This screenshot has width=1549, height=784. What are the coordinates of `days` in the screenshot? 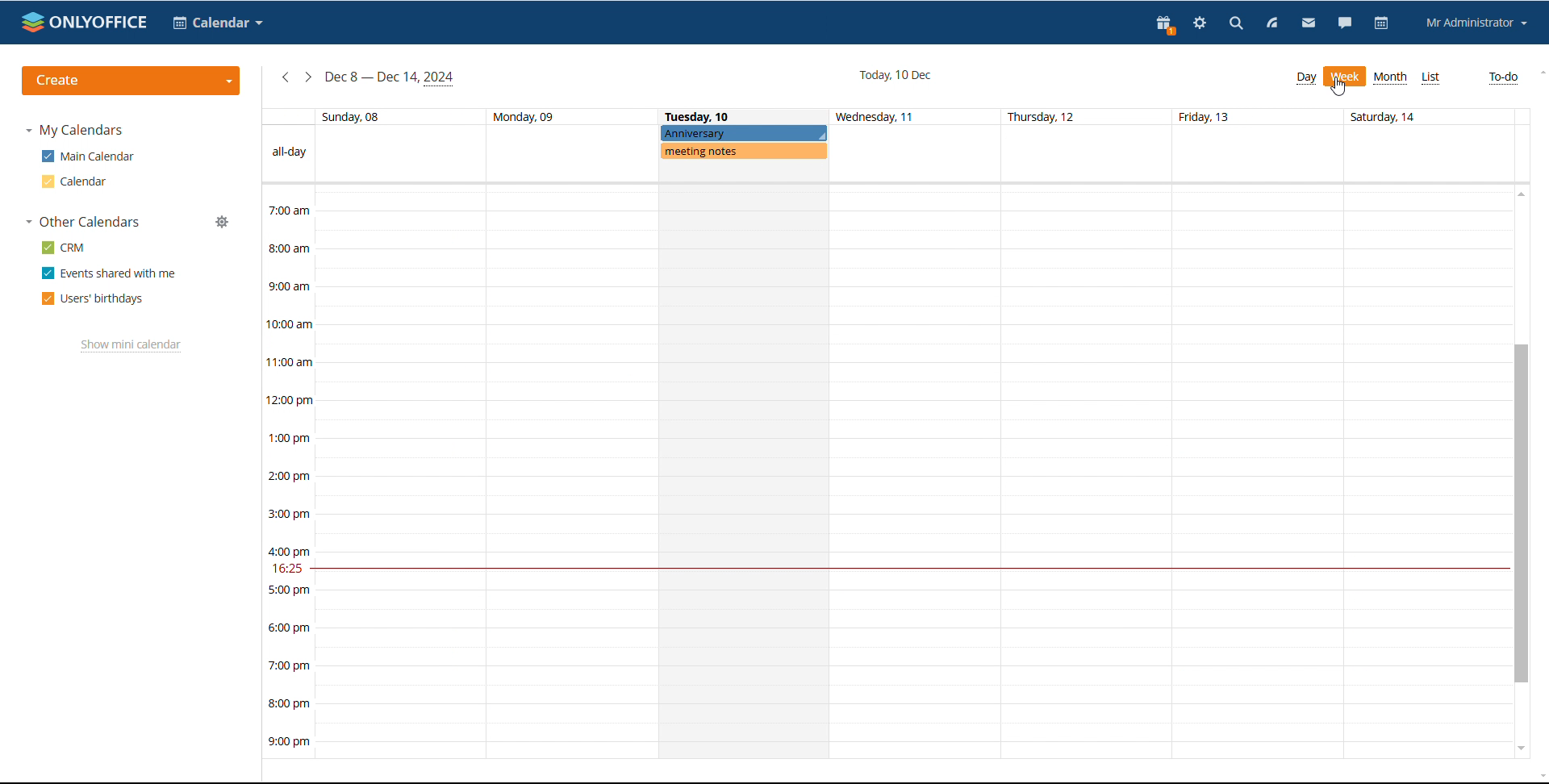 It's located at (887, 118).